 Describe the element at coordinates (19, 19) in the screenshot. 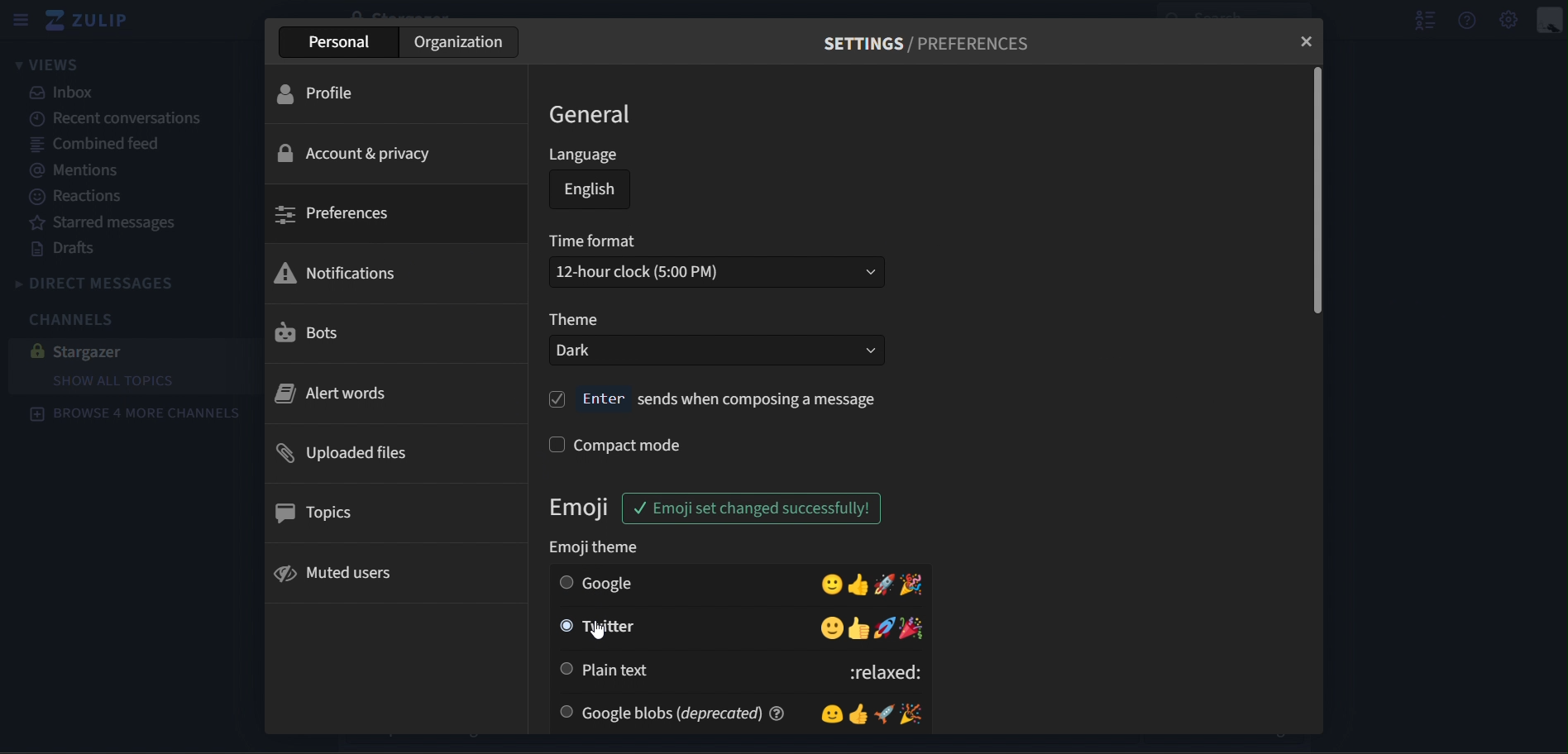

I see `hide sidebar` at that location.